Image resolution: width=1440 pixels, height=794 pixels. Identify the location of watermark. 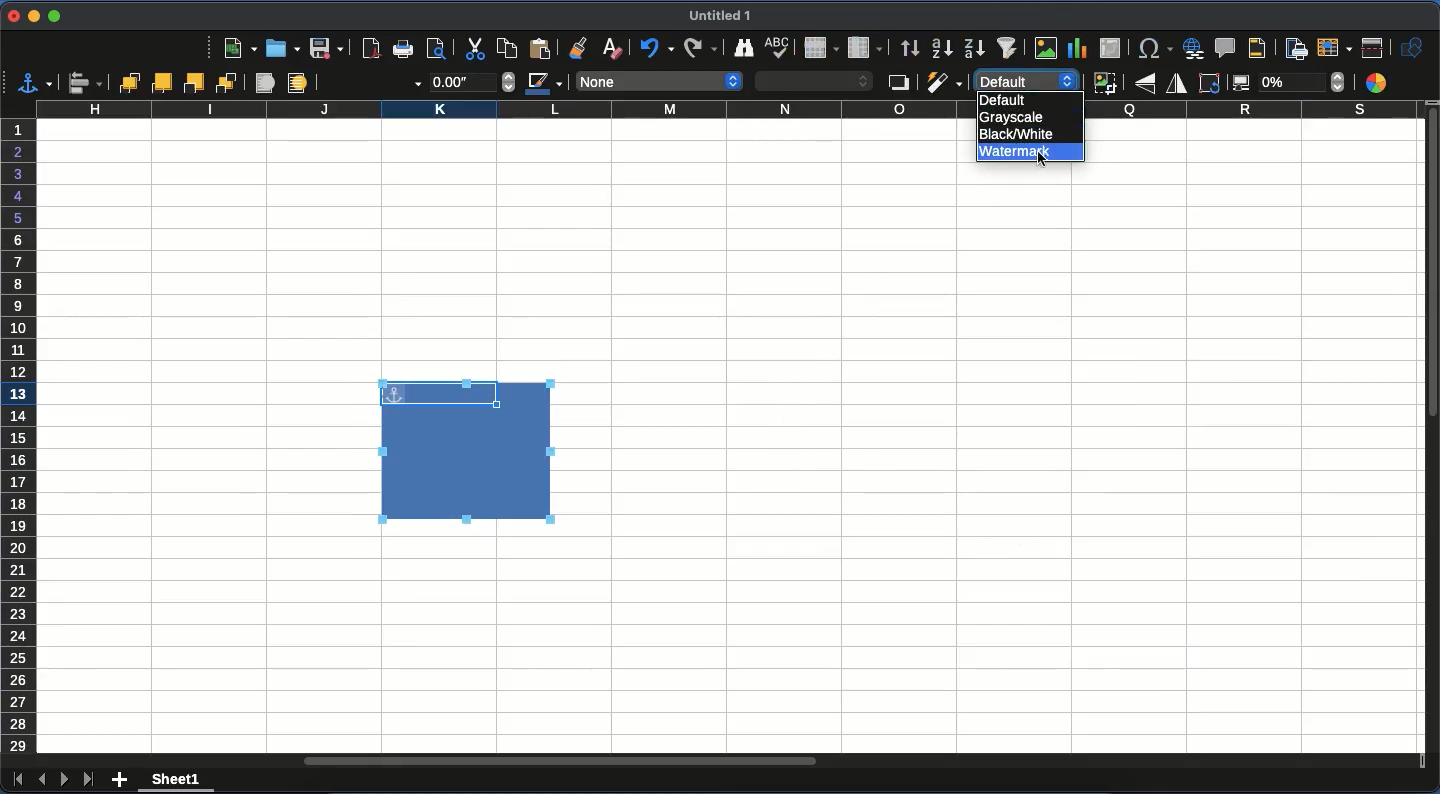
(1014, 153).